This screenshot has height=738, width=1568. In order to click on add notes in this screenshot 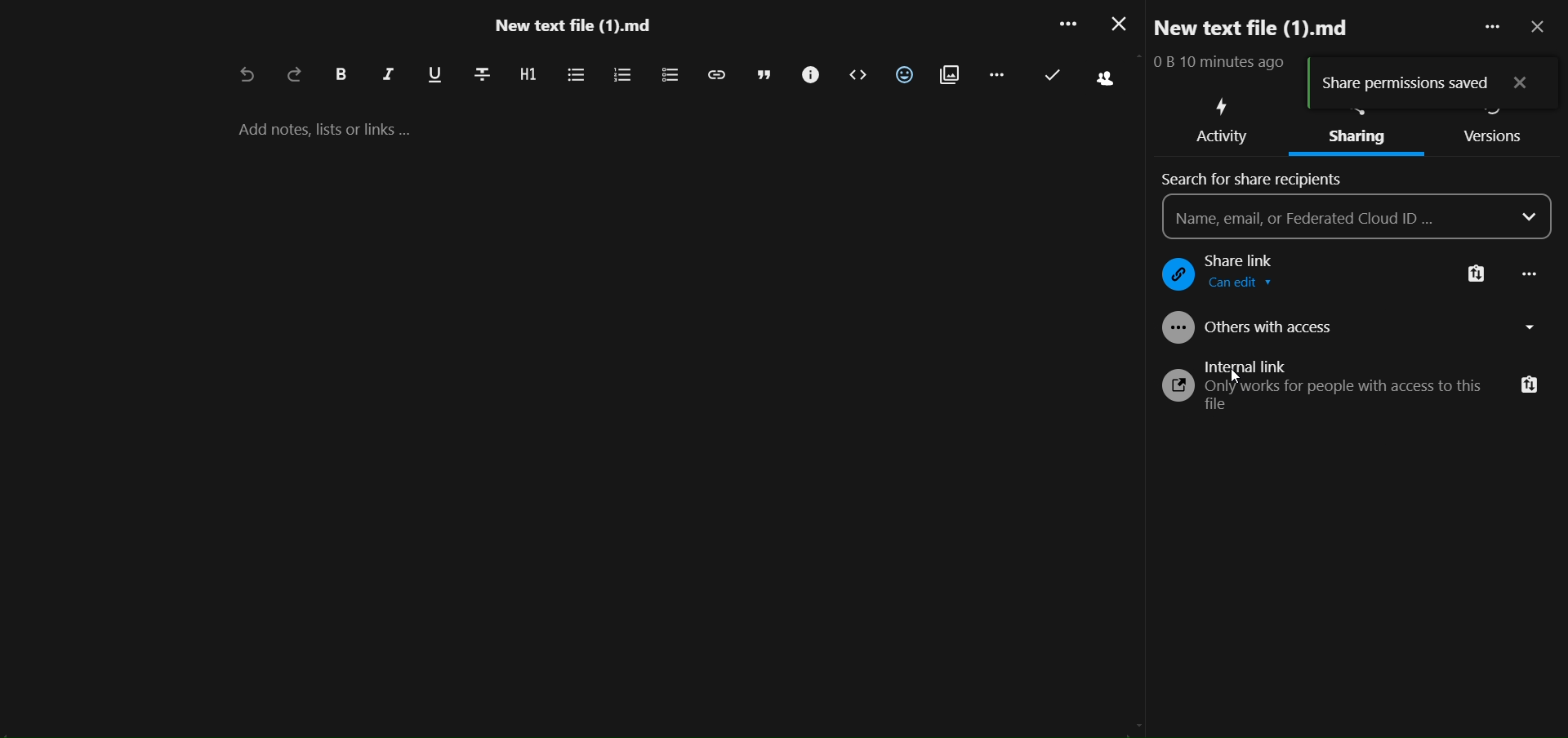, I will do `click(342, 129)`.